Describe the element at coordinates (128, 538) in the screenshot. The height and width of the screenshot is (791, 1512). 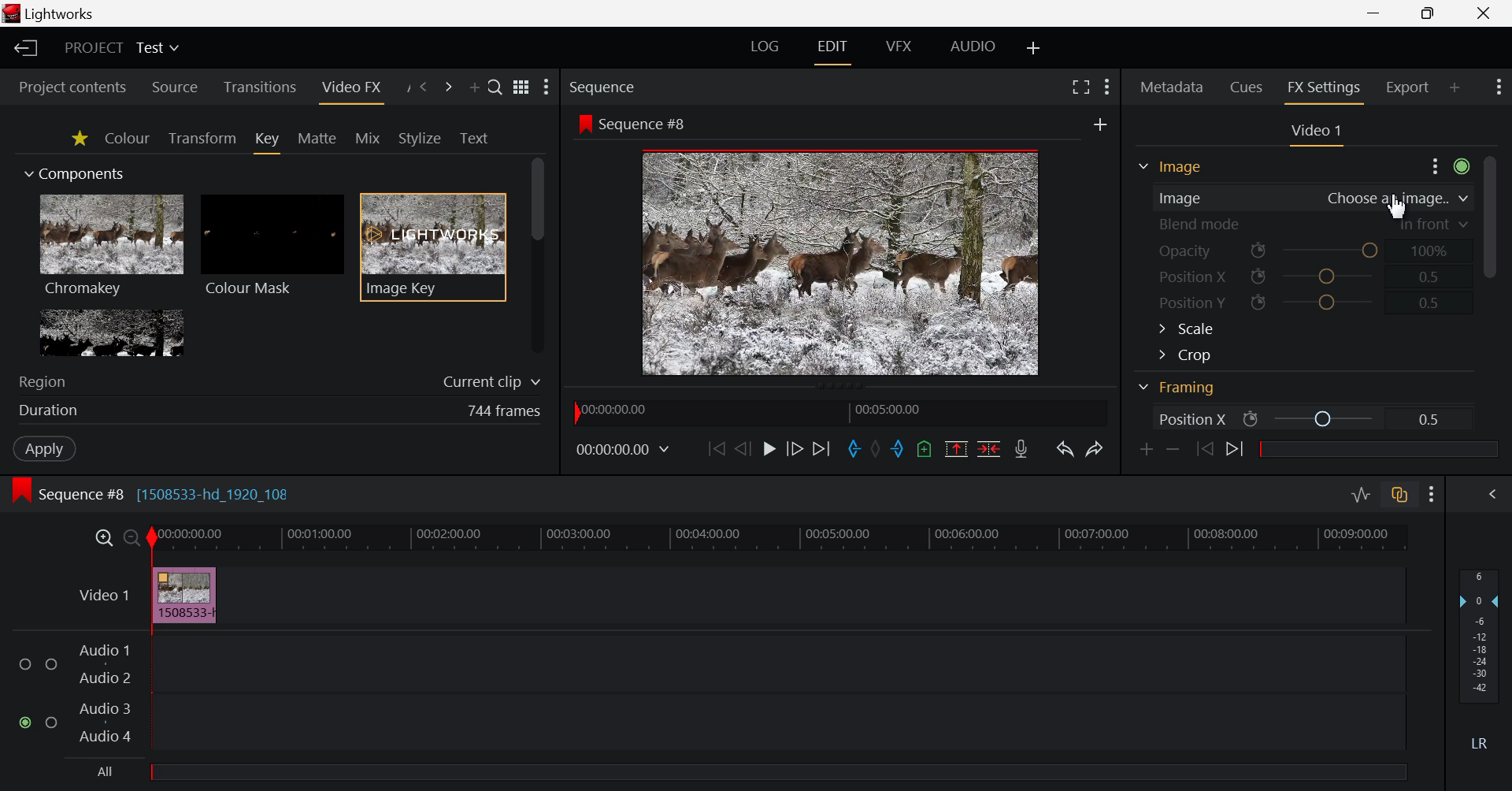
I see `Timeline Zoom Out` at that location.